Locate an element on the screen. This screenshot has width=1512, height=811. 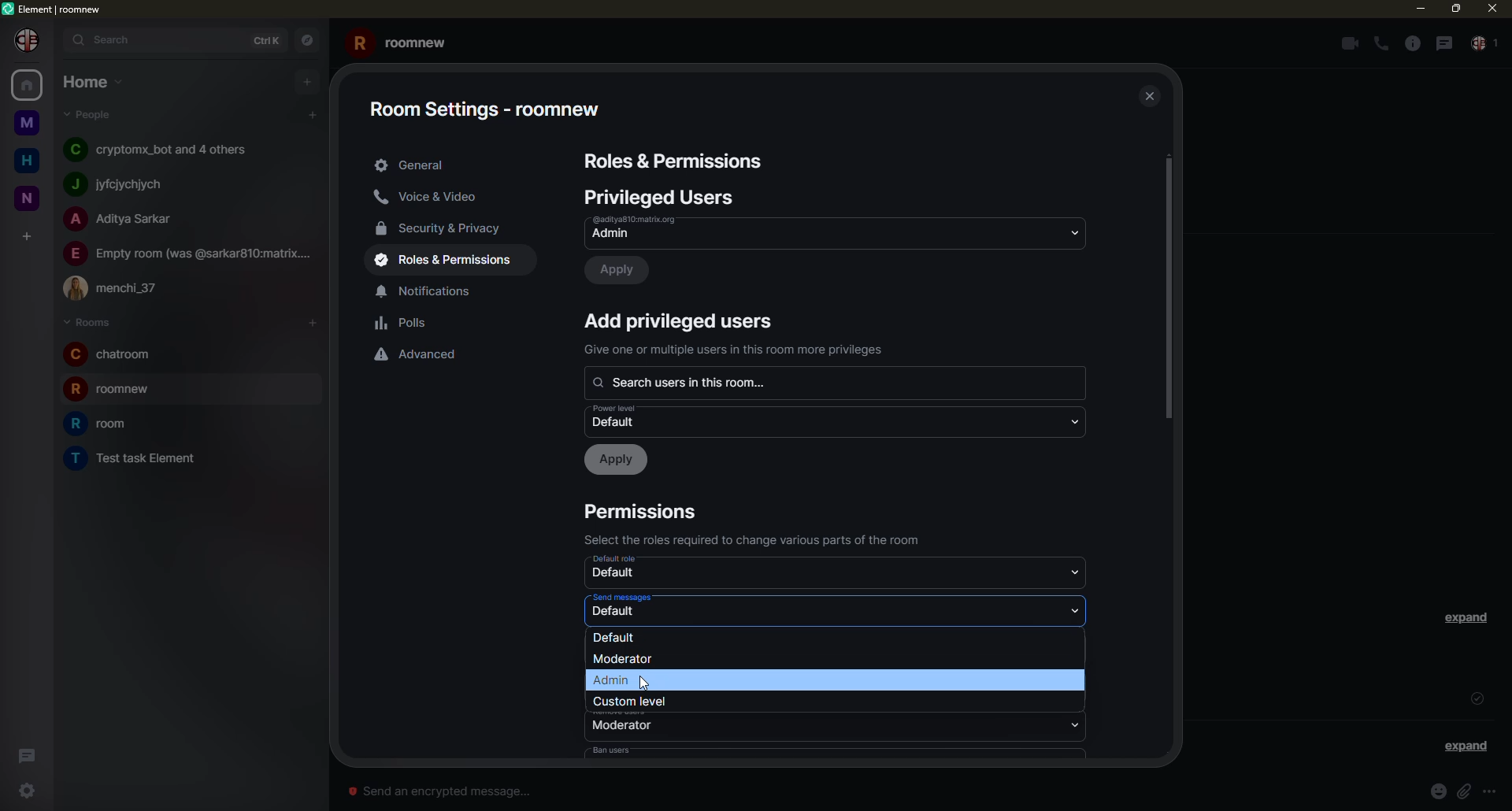
polls is located at coordinates (405, 324).